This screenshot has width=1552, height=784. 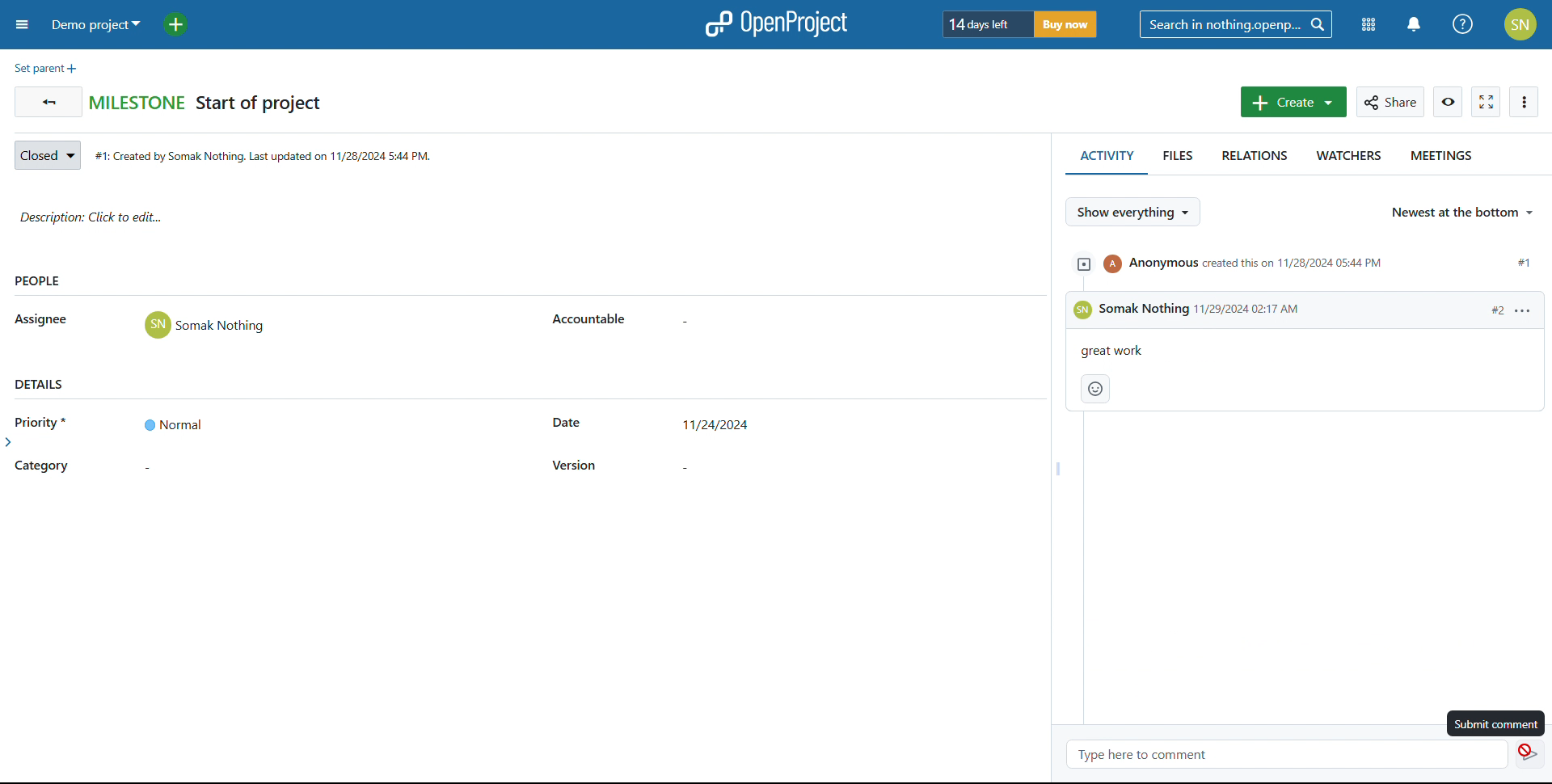 What do you see at coordinates (567, 424) in the screenshot?
I see `start date` at bounding box center [567, 424].